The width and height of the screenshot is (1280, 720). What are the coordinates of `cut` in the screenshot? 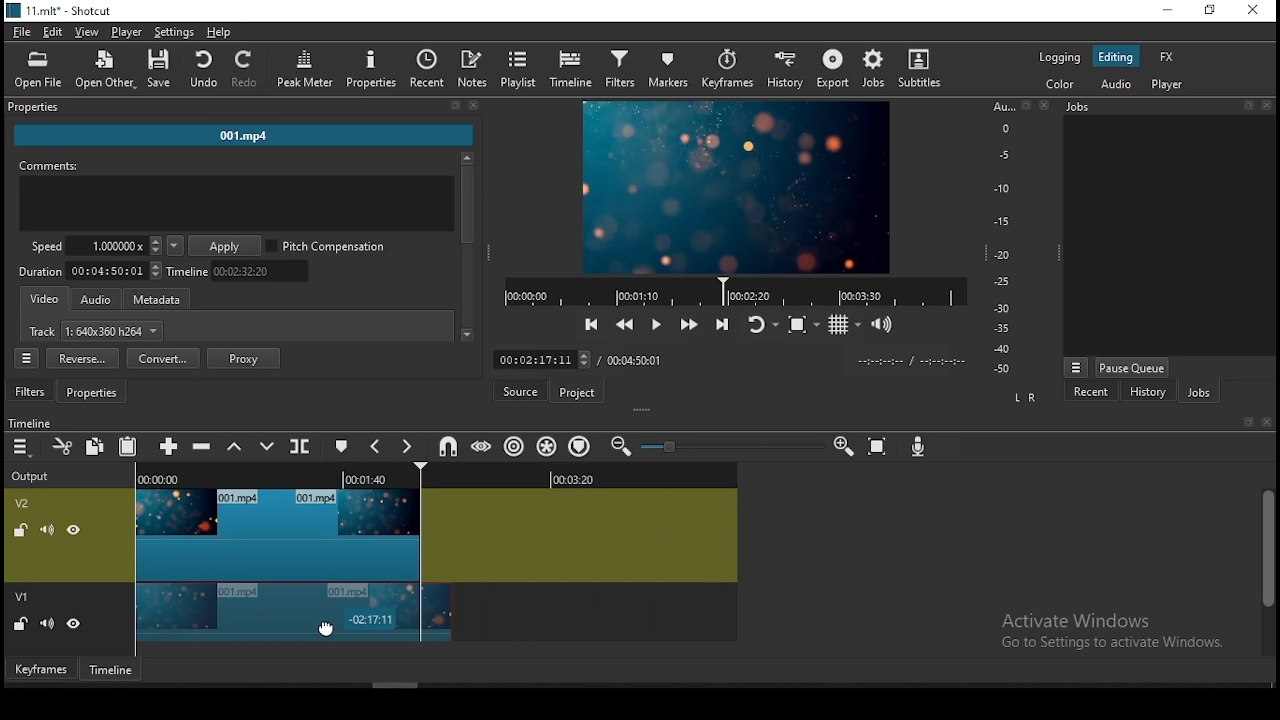 It's located at (64, 448).